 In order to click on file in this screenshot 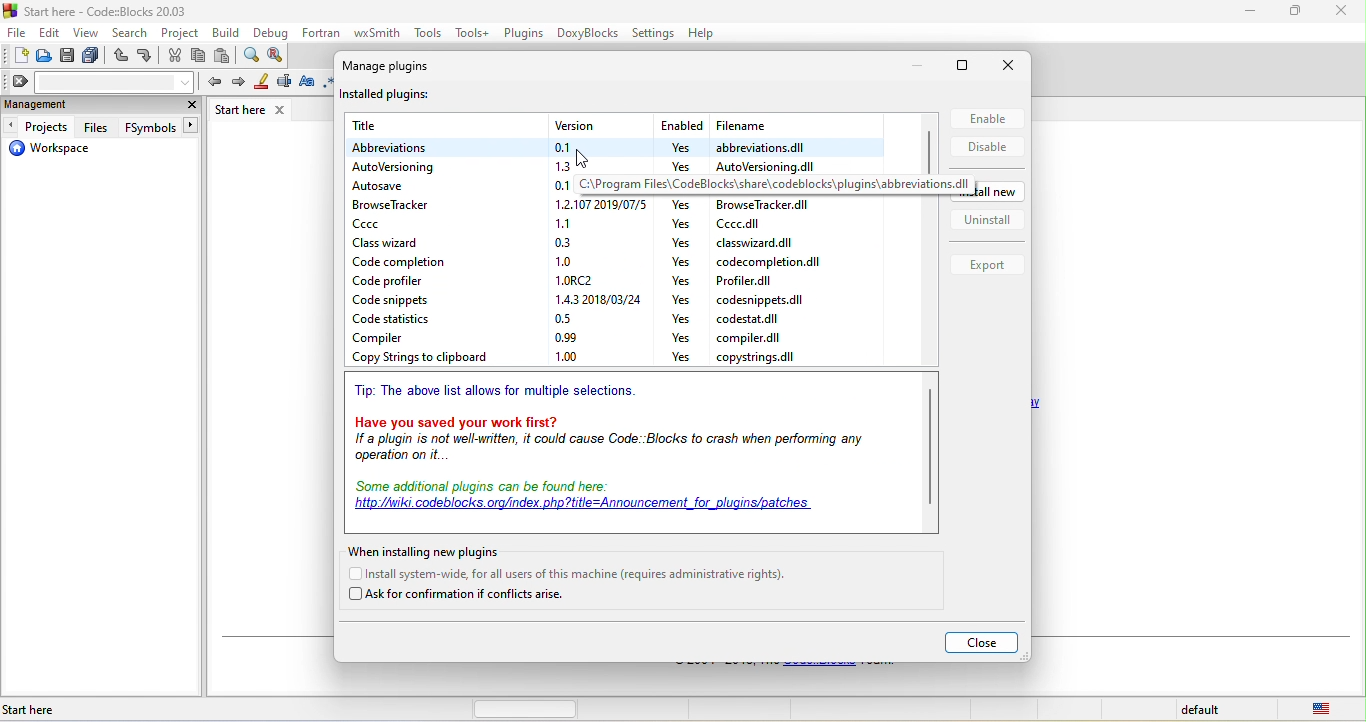, I will do `click(745, 223)`.